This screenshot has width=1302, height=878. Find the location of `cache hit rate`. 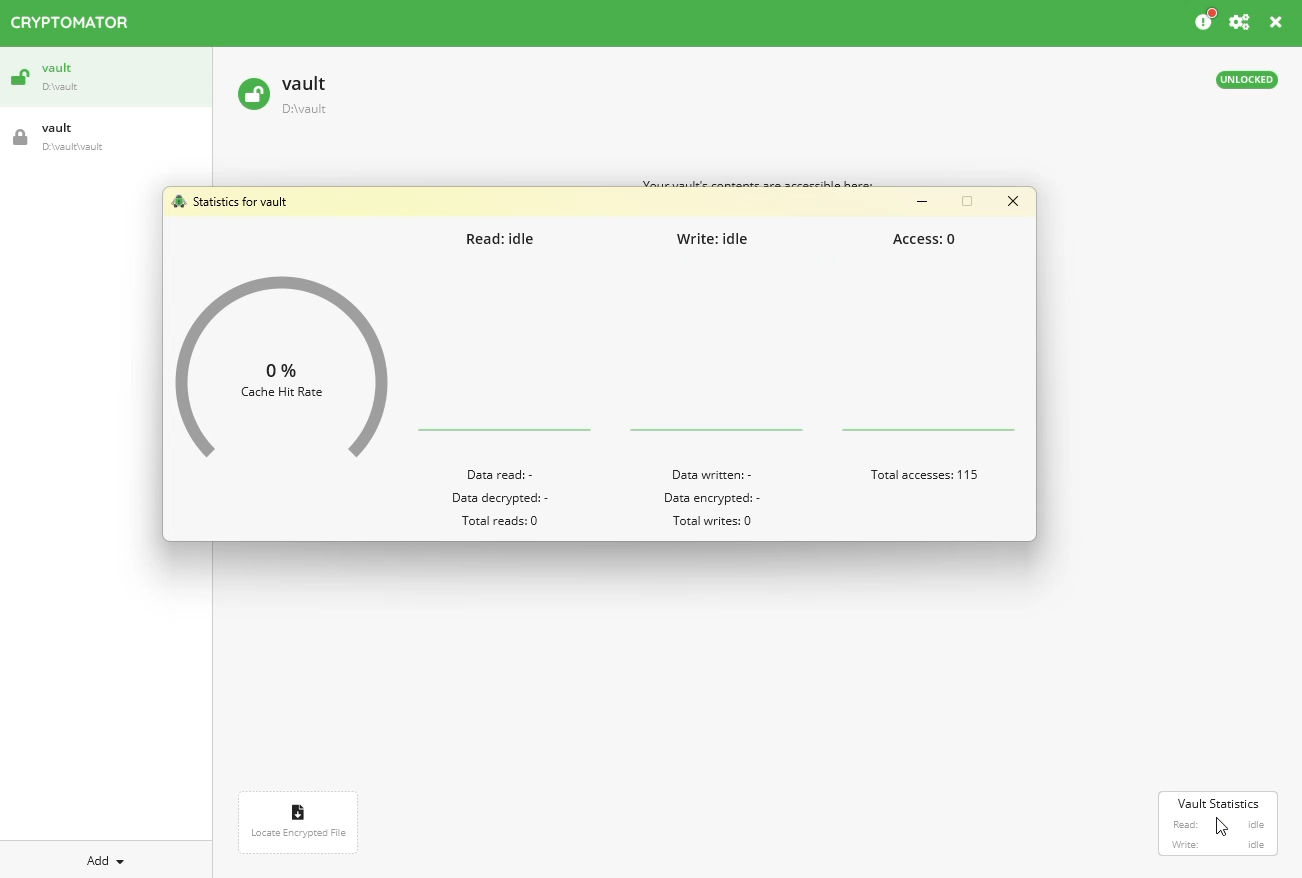

cache hit rate is located at coordinates (281, 375).